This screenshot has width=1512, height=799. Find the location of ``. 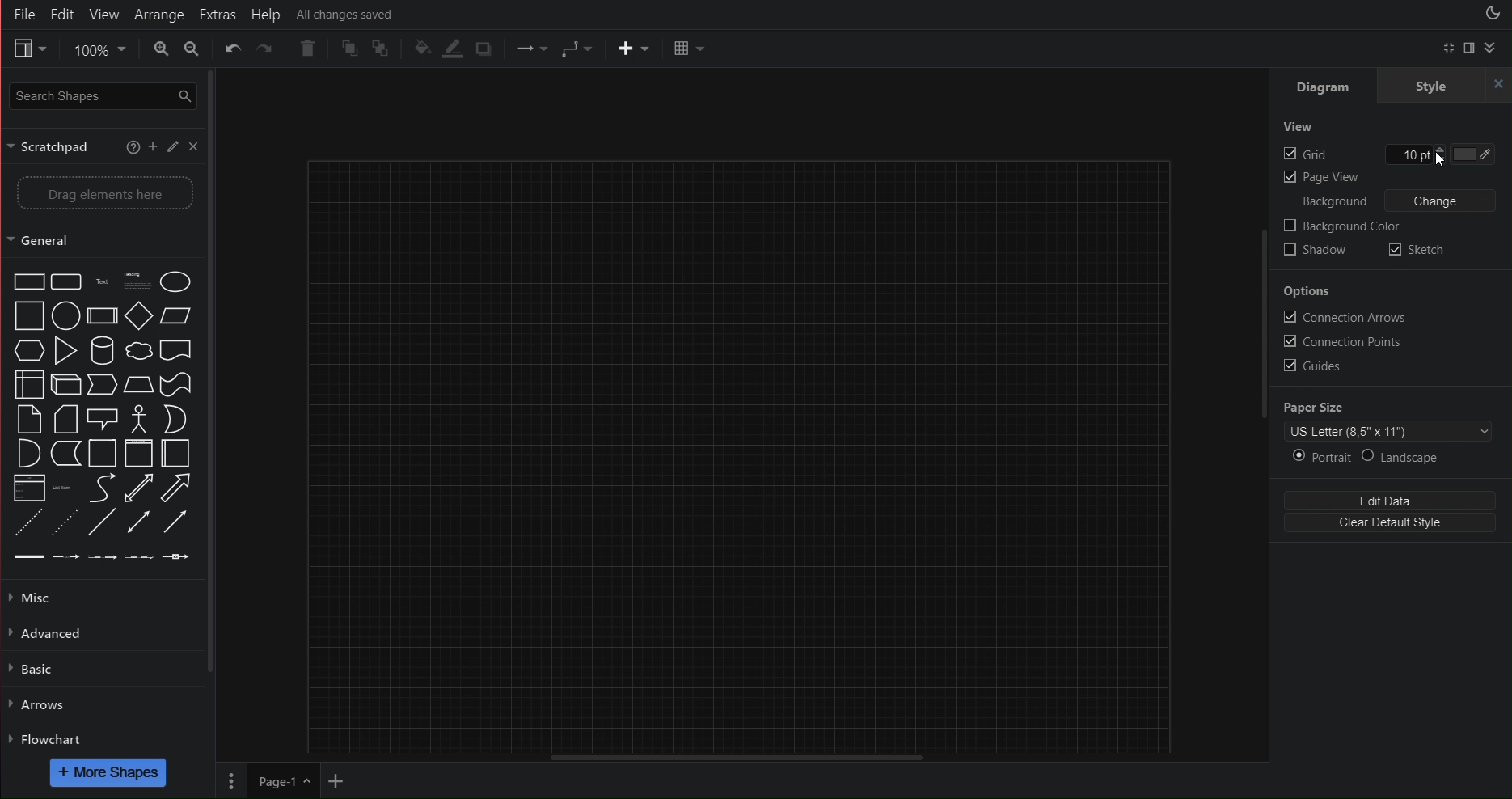

 is located at coordinates (174, 348).